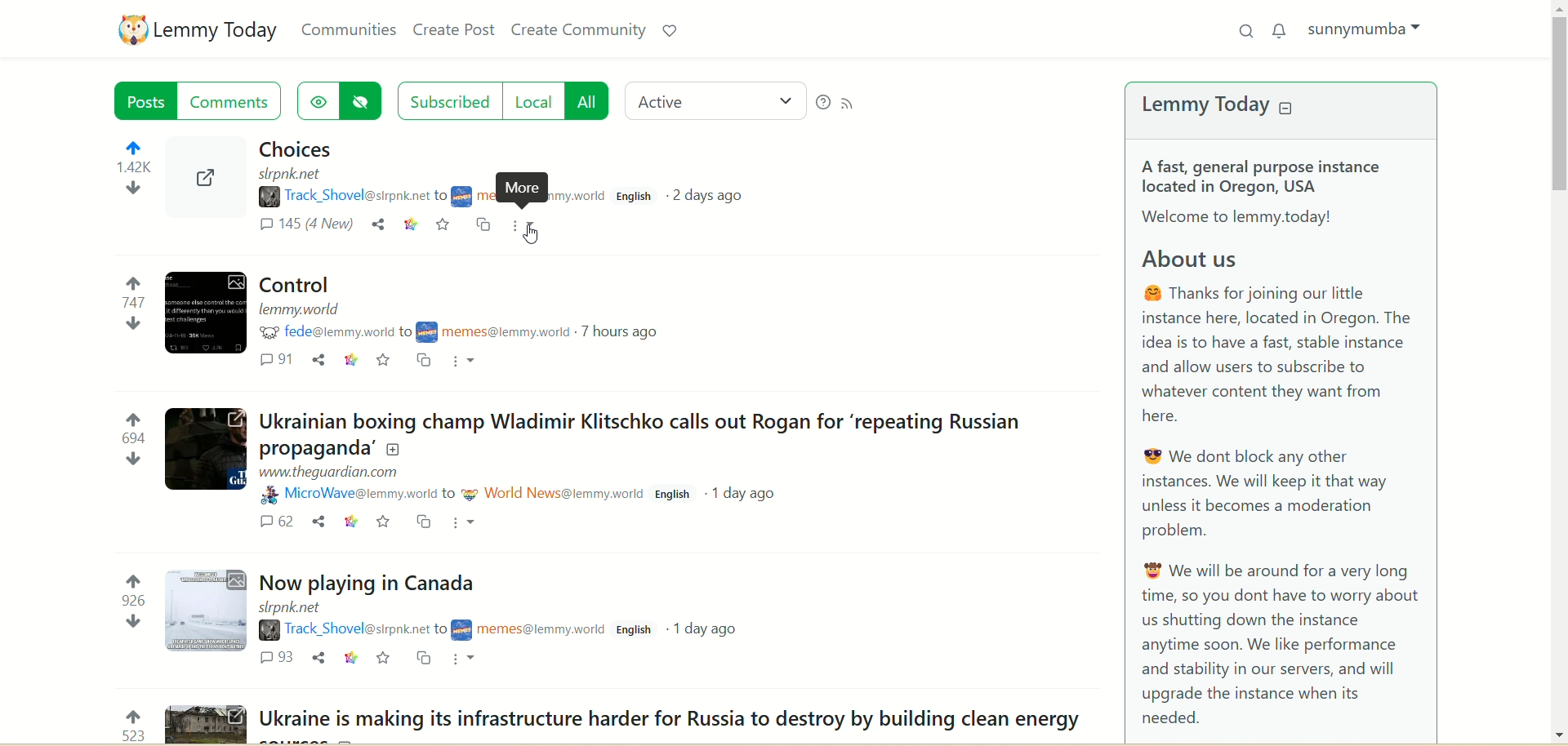  I want to click on Expand the post with image details, so click(203, 189).